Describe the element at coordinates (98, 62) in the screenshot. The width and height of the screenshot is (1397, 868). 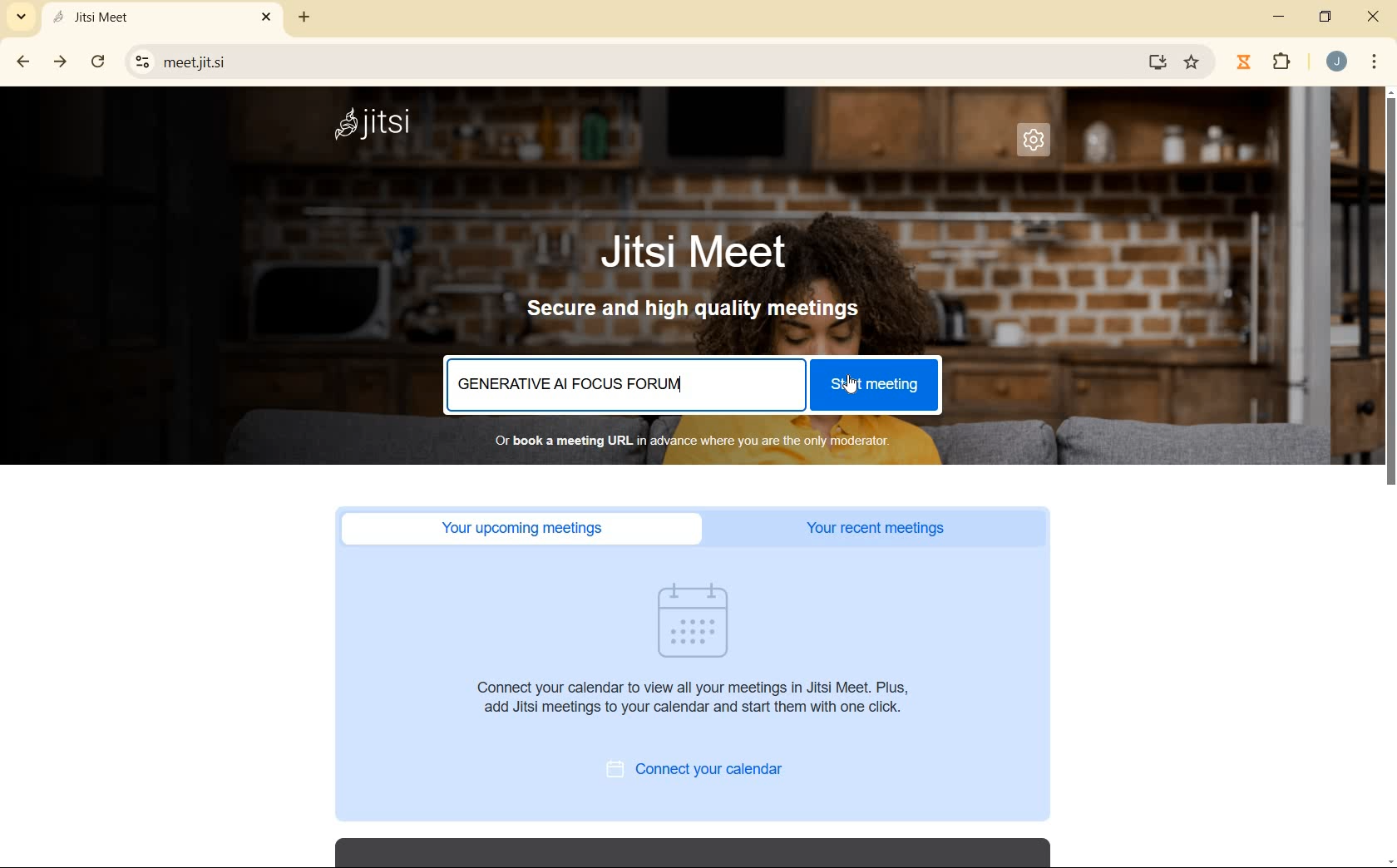
I see `RELOAD` at that location.